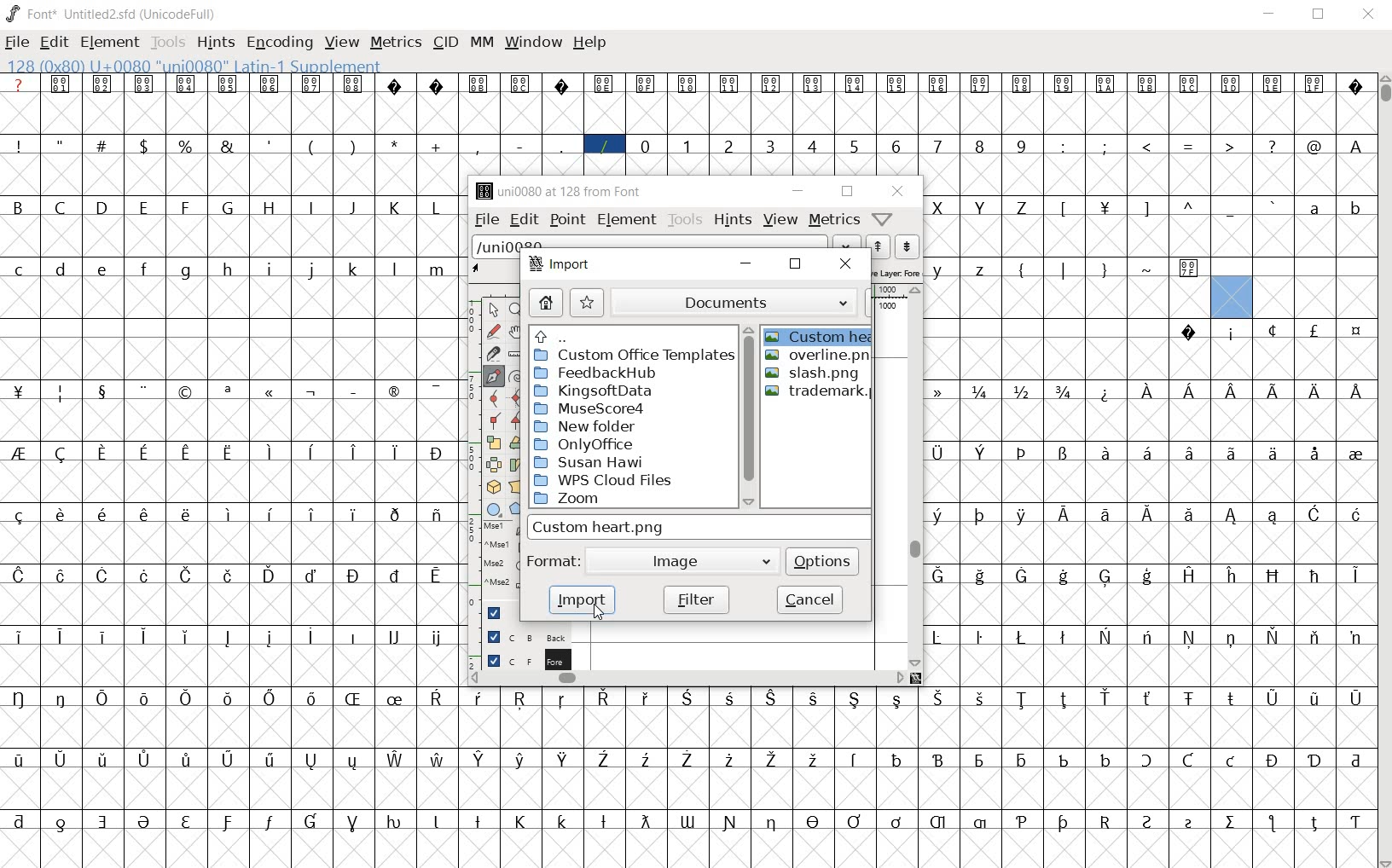 The width and height of the screenshot is (1392, 868). Describe the element at coordinates (168, 43) in the screenshot. I see `TOOLS` at that location.